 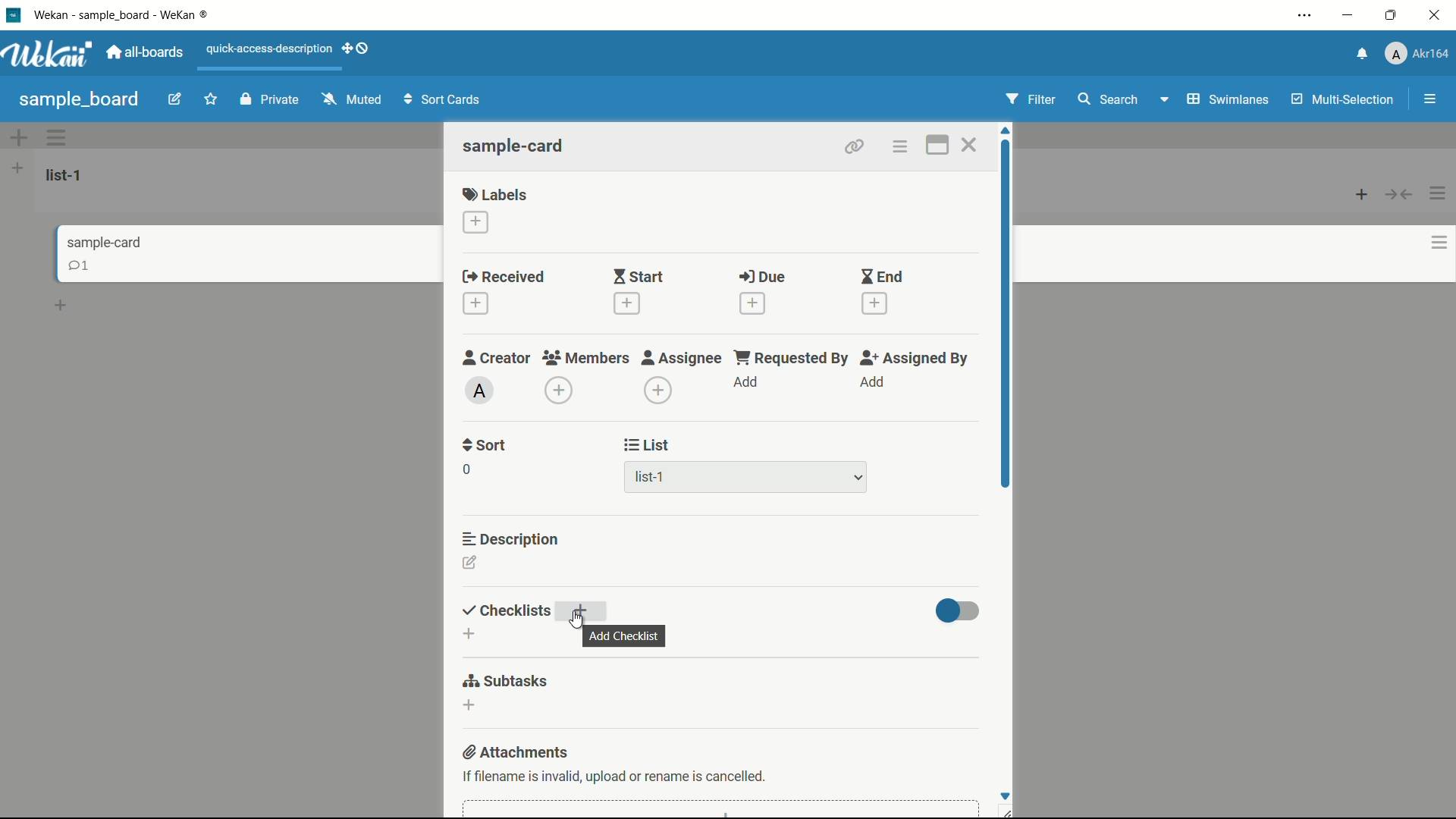 What do you see at coordinates (106, 240) in the screenshot?
I see `sample-card` at bounding box center [106, 240].